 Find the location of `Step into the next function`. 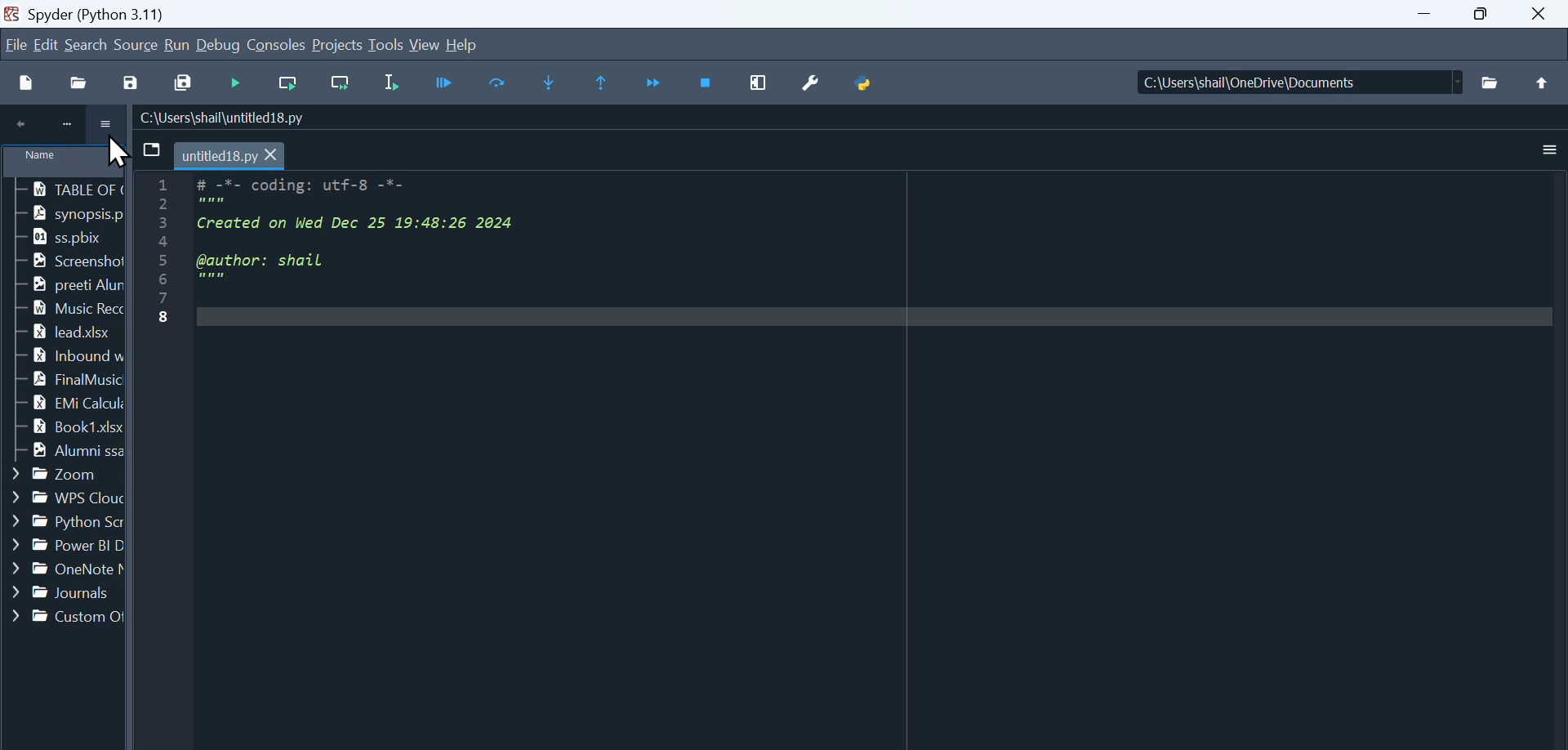

Step into the next function is located at coordinates (552, 83).